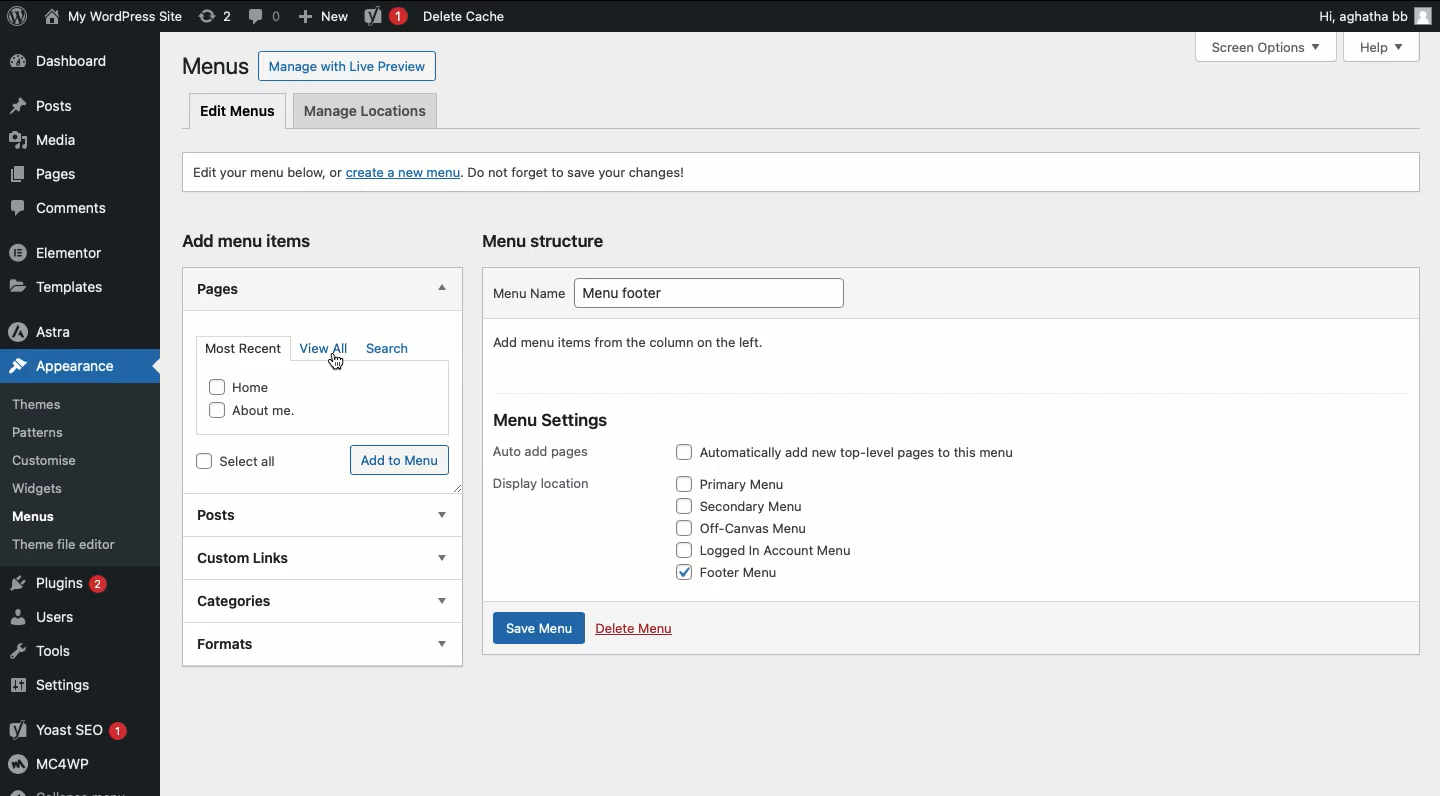 The height and width of the screenshot is (796, 1440). Describe the element at coordinates (327, 18) in the screenshot. I see `New` at that location.